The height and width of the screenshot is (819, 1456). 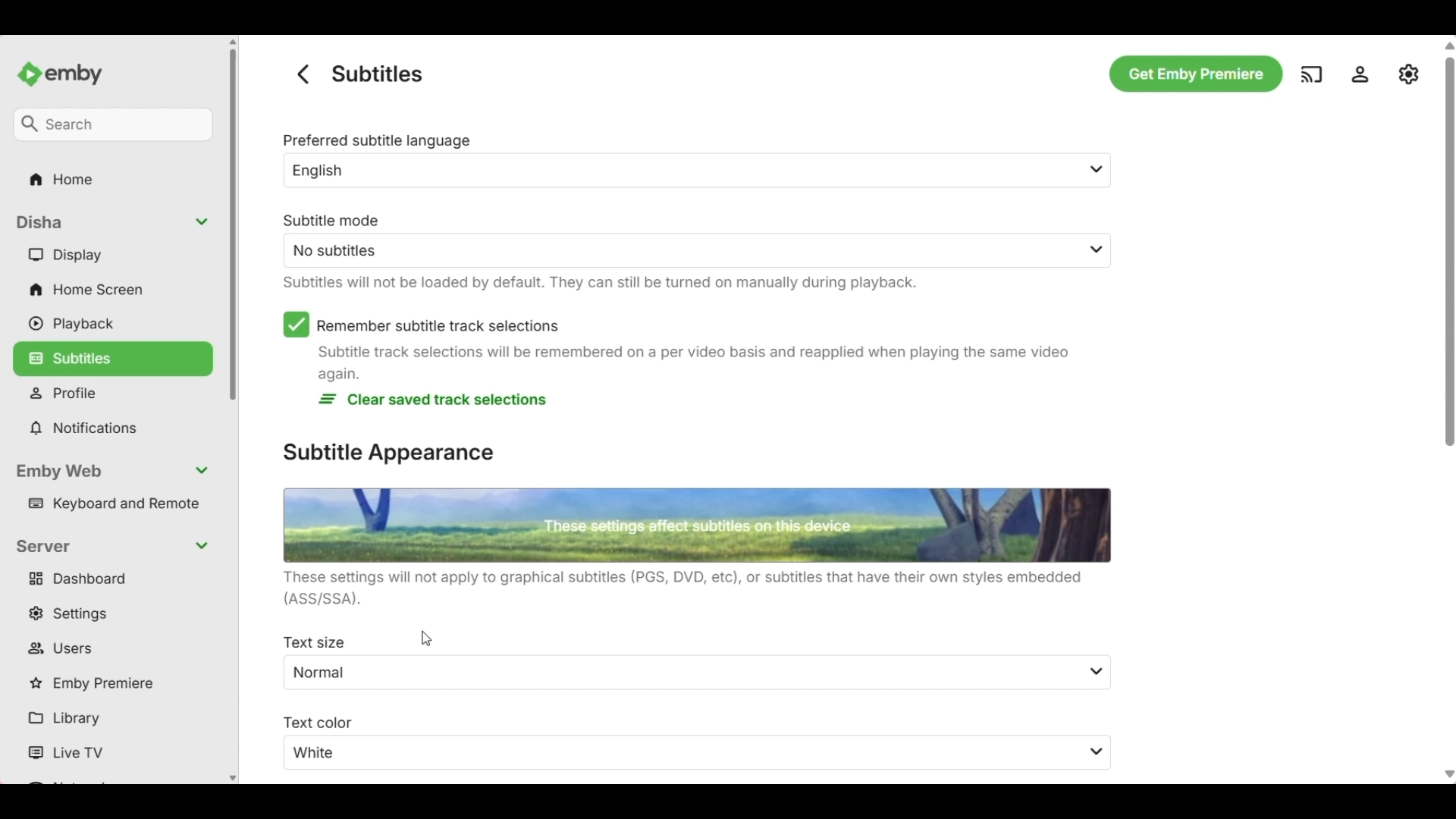 I want to click on Profile, so click(x=117, y=394).